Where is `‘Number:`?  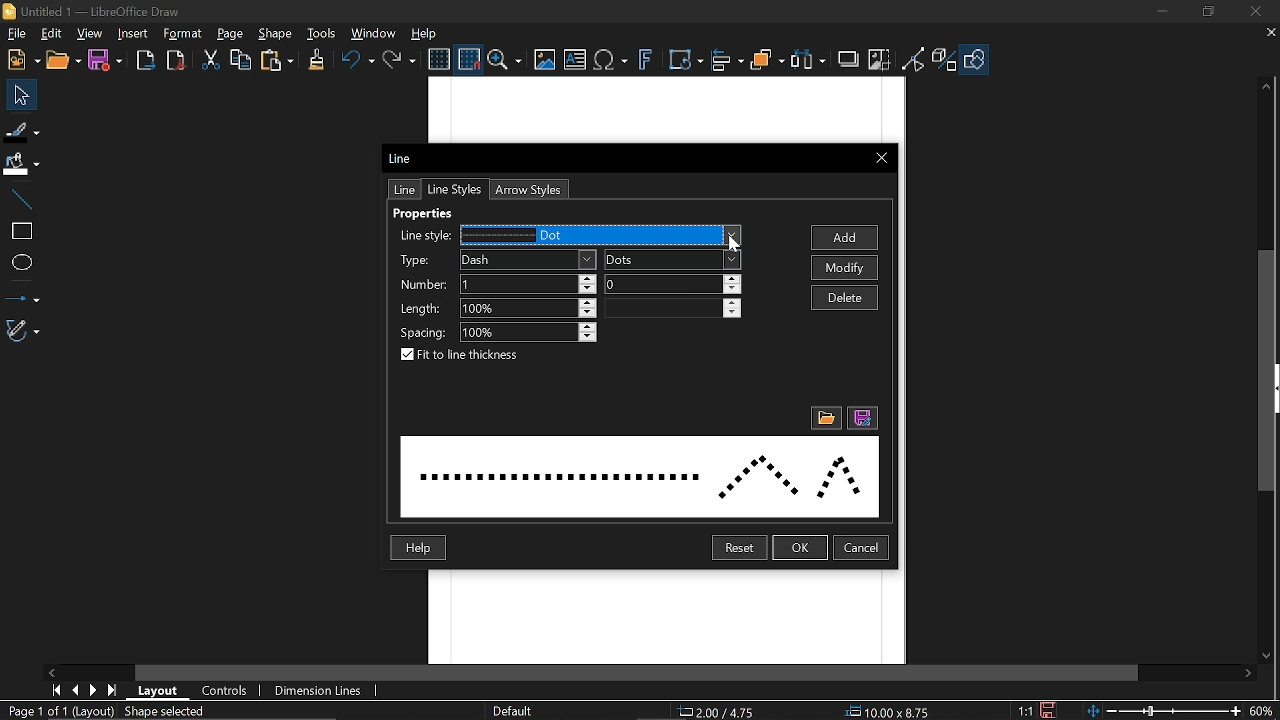 ‘Number: is located at coordinates (420, 285).